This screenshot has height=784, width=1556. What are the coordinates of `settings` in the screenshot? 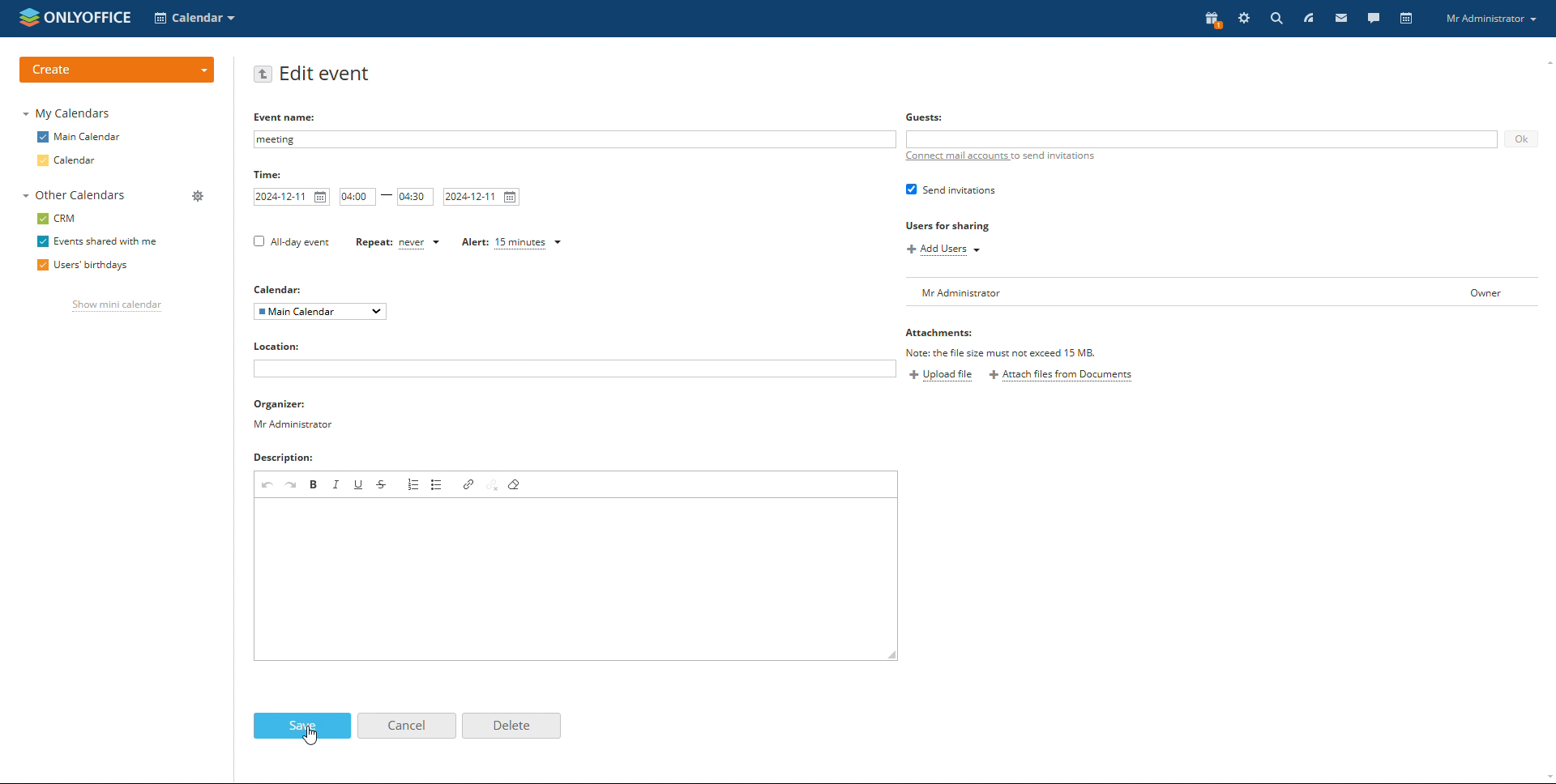 It's located at (1244, 19).